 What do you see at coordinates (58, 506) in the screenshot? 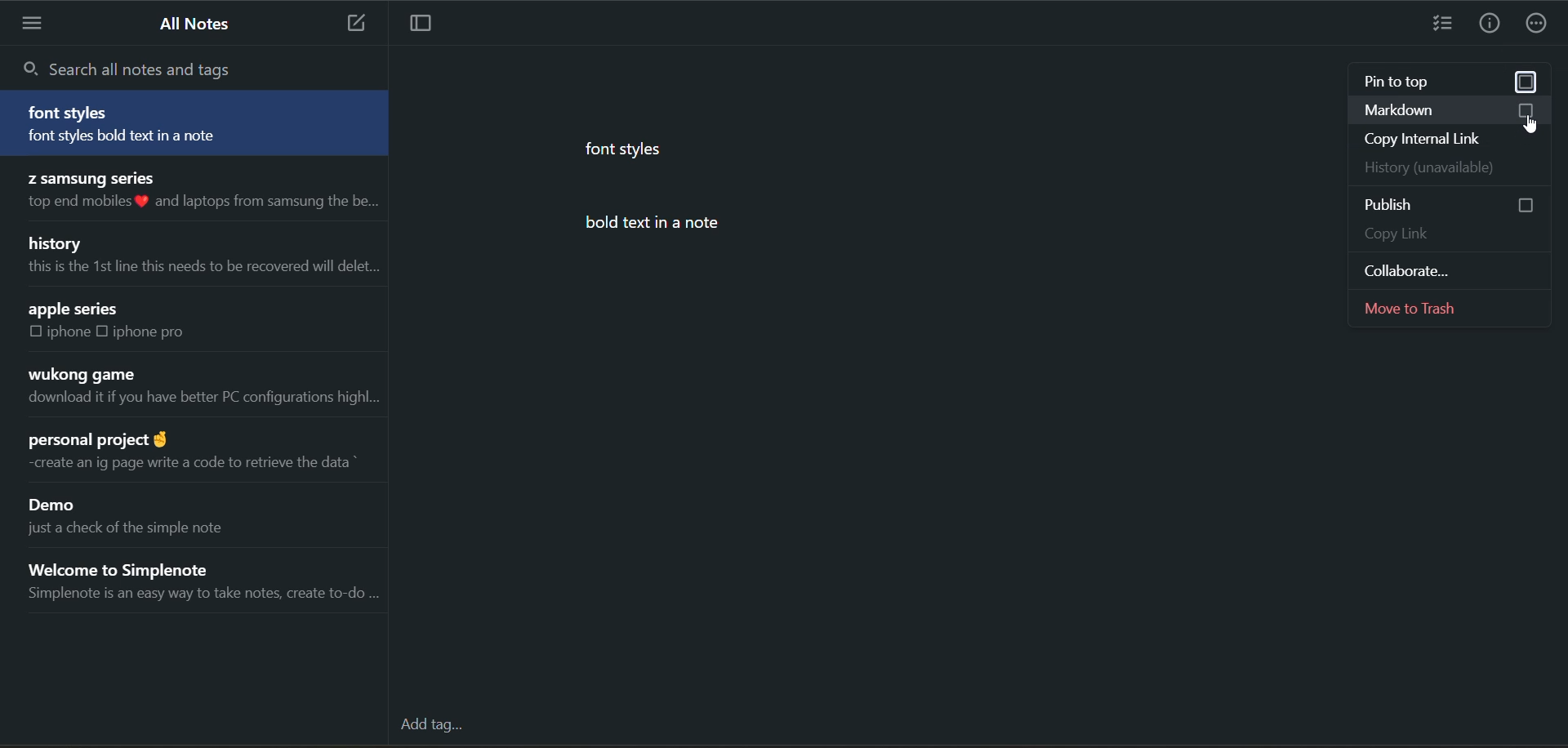
I see `Demo` at bounding box center [58, 506].